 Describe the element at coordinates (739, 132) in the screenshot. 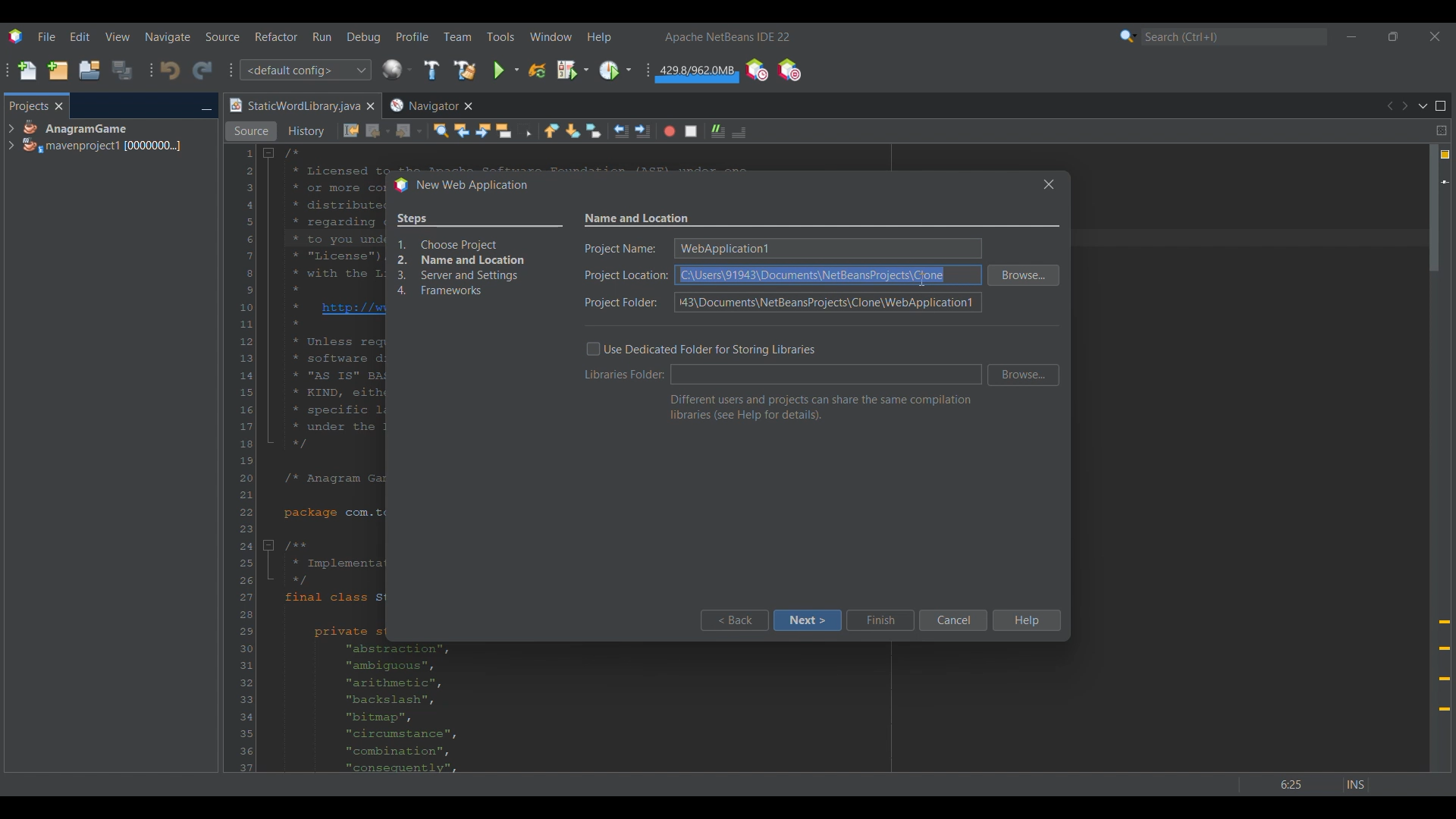

I see `Comment` at that location.